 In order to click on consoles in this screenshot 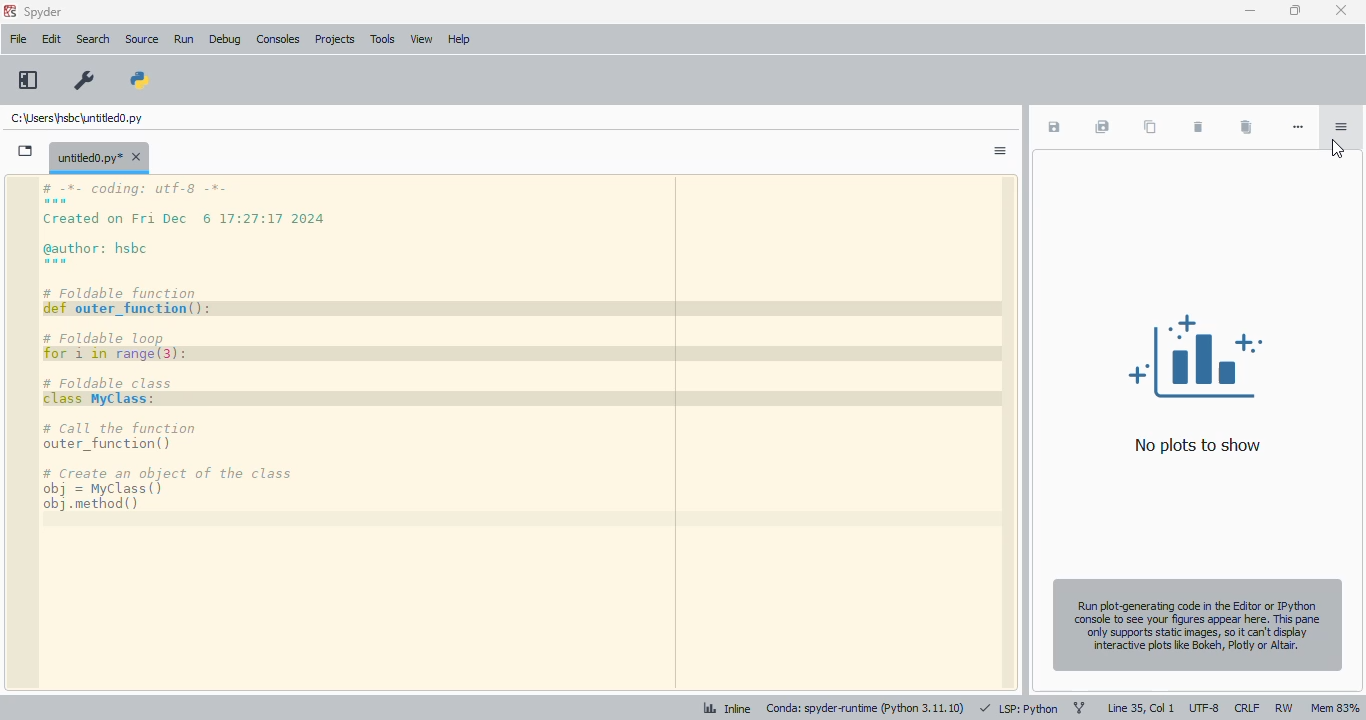, I will do `click(279, 39)`.